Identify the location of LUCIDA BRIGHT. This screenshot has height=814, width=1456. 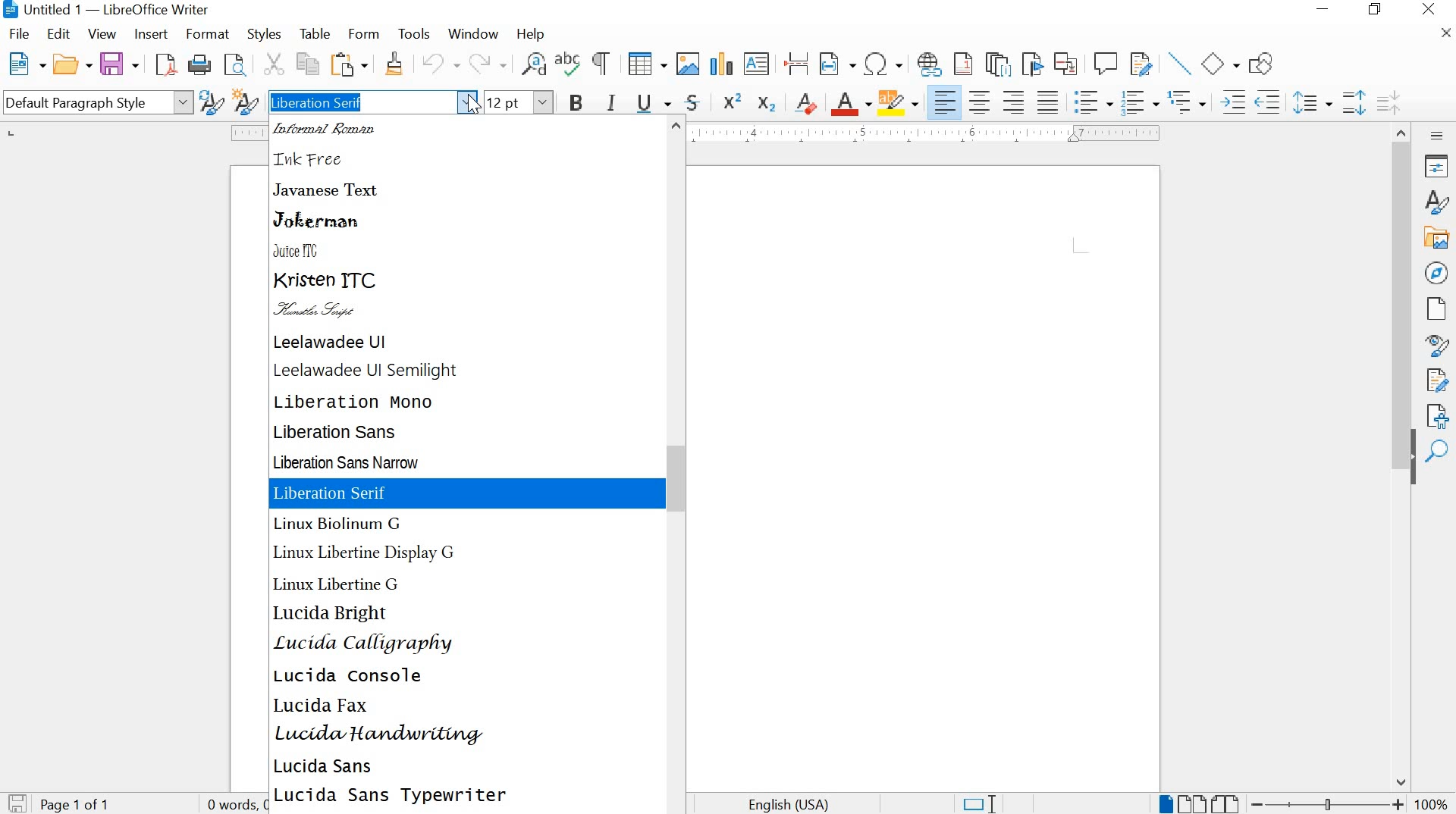
(331, 612).